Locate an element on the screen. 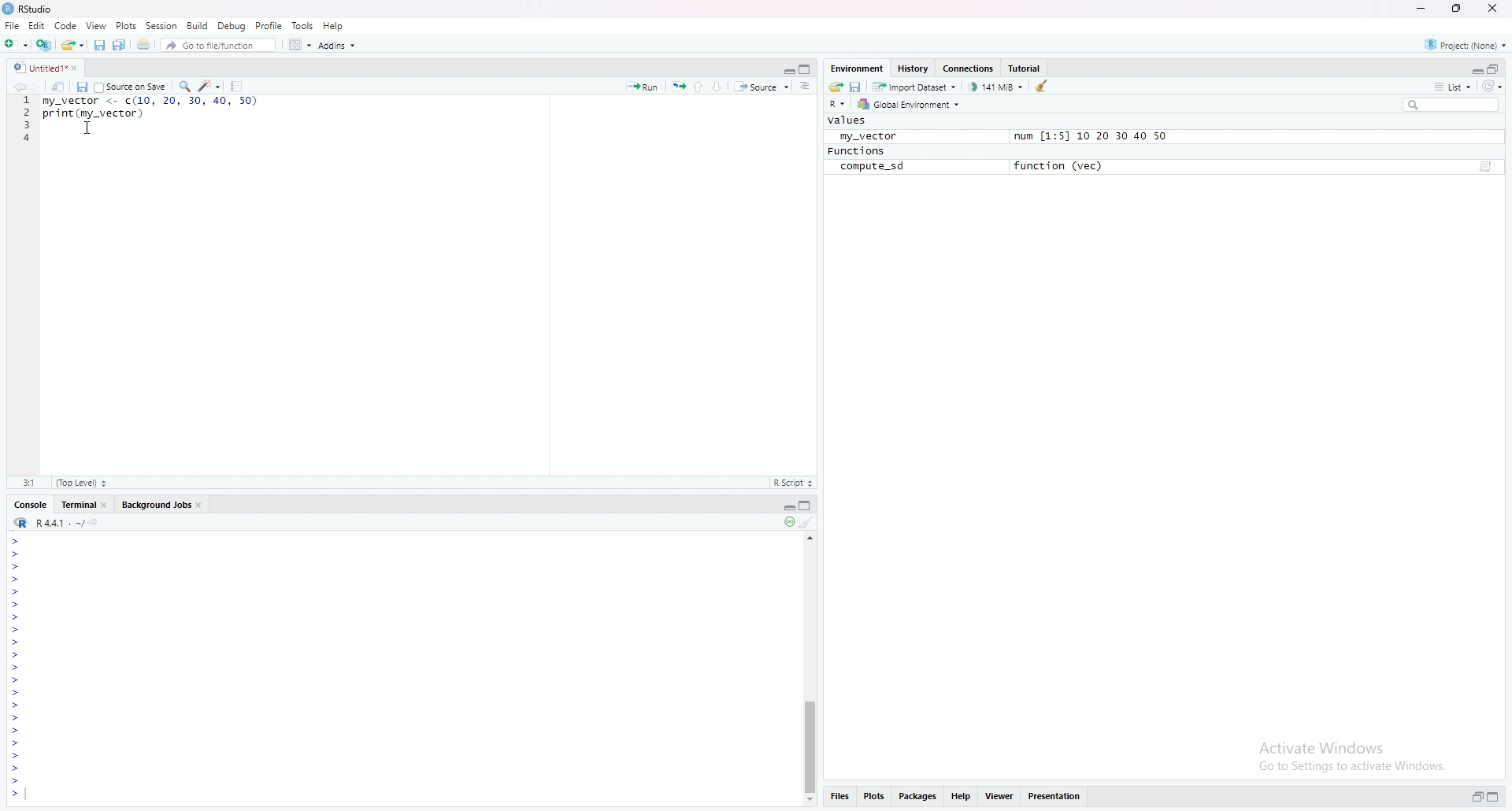 This screenshot has width=1512, height=811. Prompt cursor is located at coordinates (17, 579).